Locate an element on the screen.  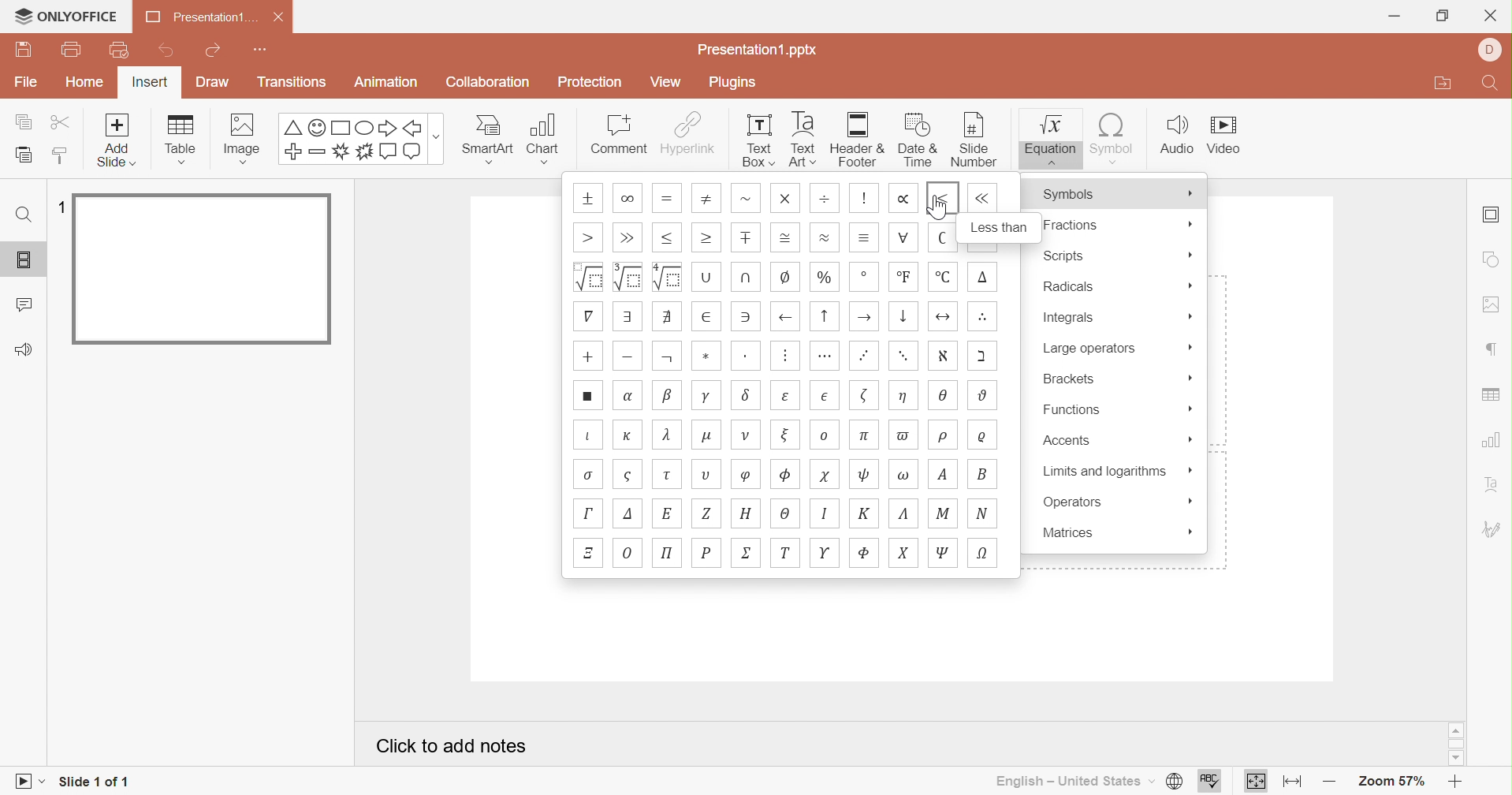
Symbols is located at coordinates (352, 141).